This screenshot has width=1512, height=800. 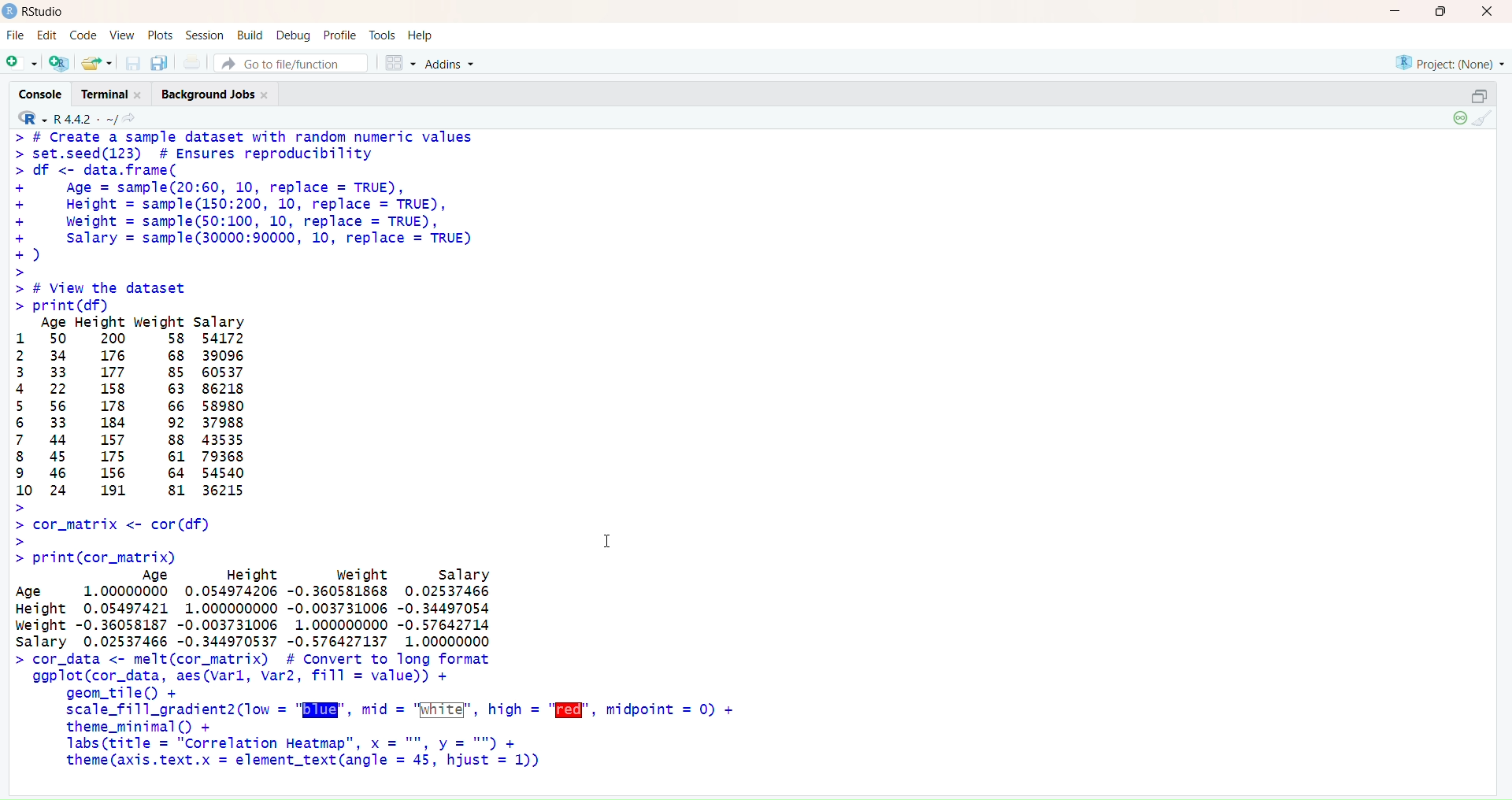 What do you see at coordinates (1479, 96) in the screenshot?
I see `Restore` at bounding box center [1479, 96].